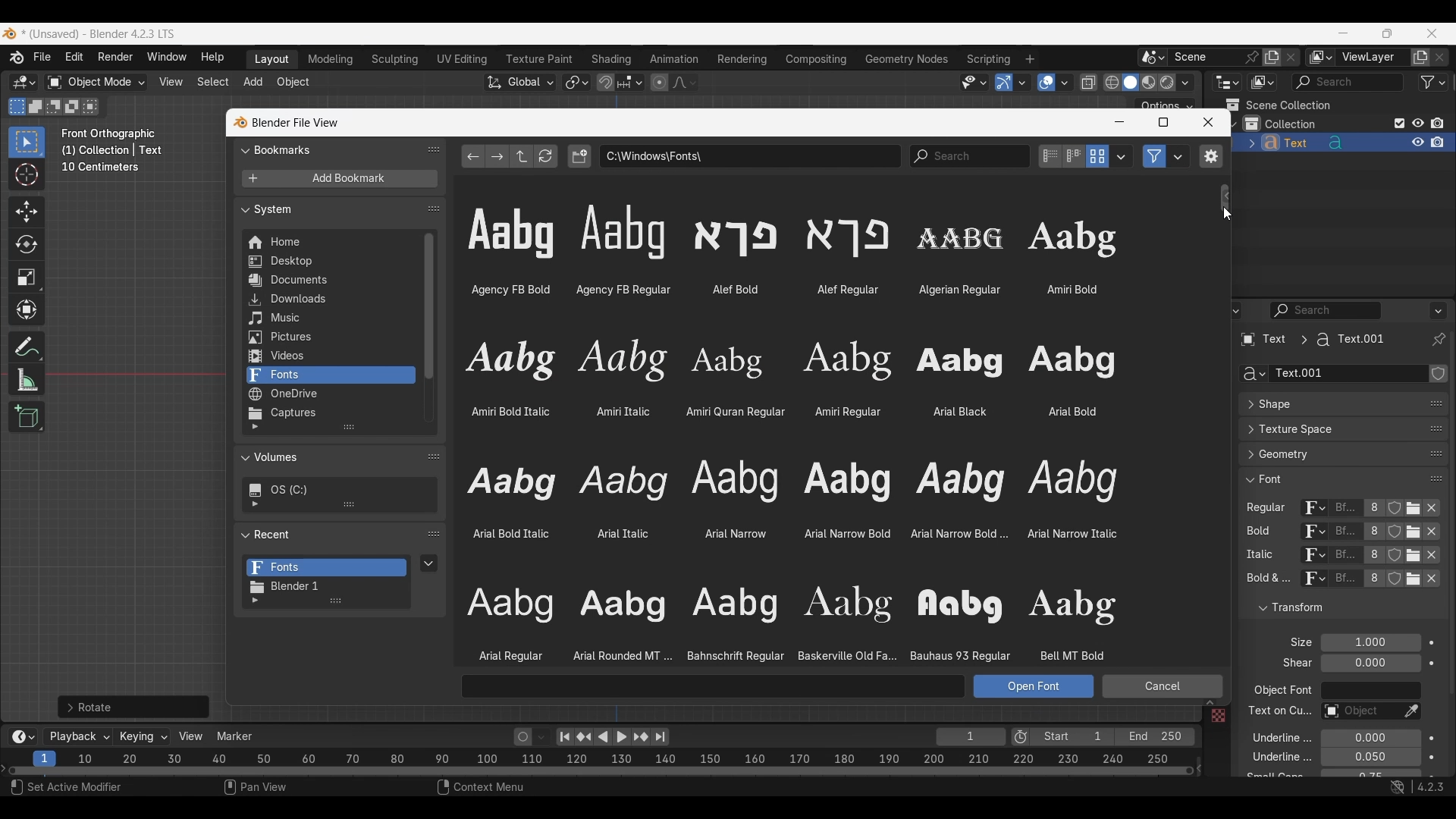 The height and width of the screenshot is (819, 1456). I want to click on Underline position, so click(1370, 739).